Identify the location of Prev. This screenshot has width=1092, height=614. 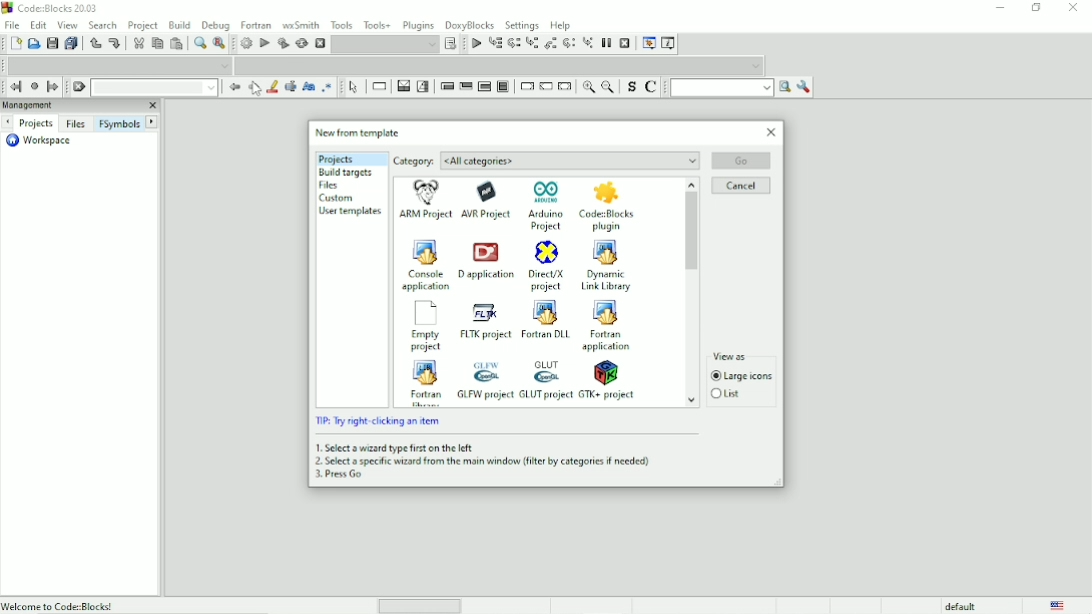
(10, 121).